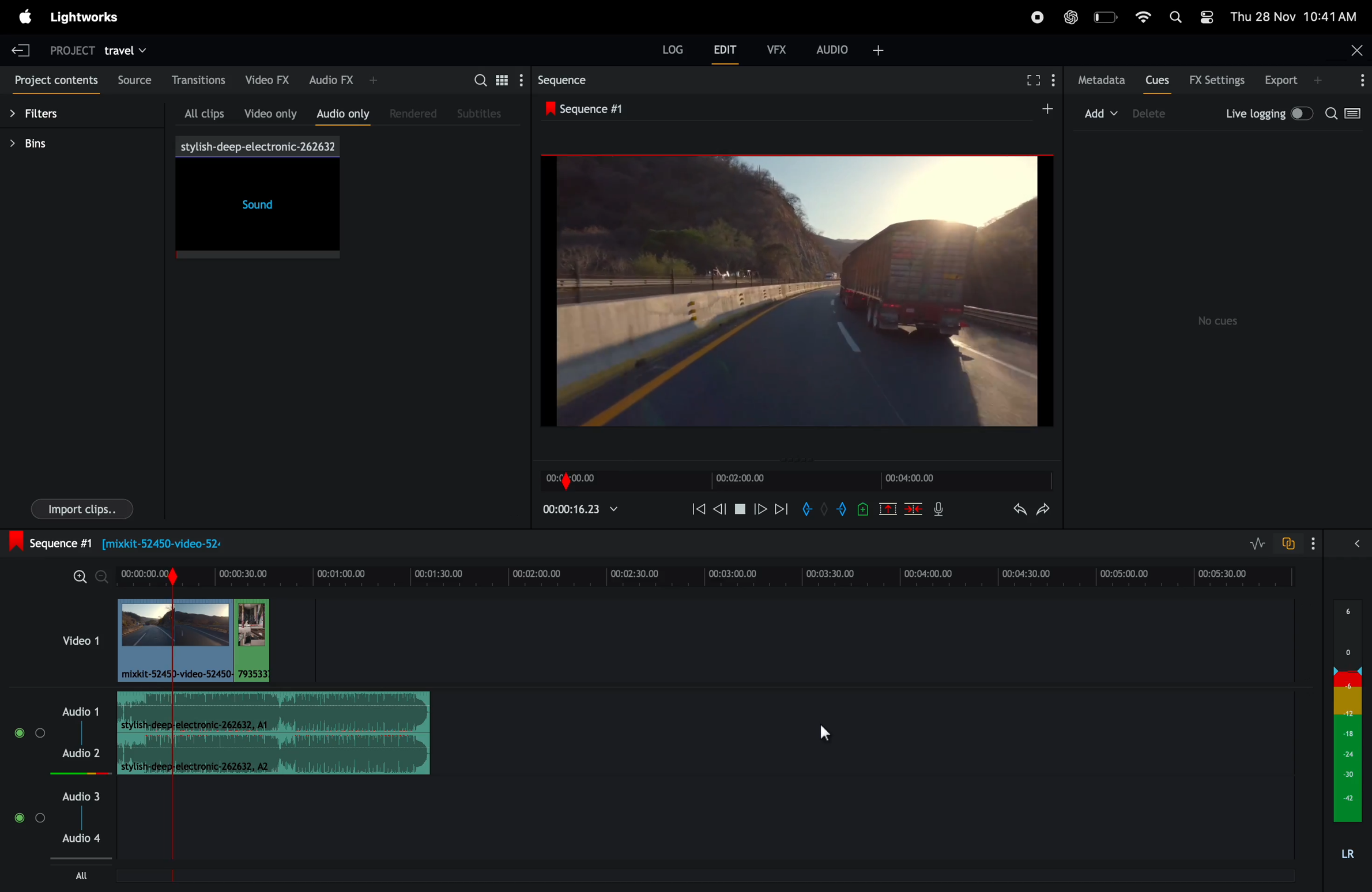  I want to click on nudge back one fame, so click(721, 507).